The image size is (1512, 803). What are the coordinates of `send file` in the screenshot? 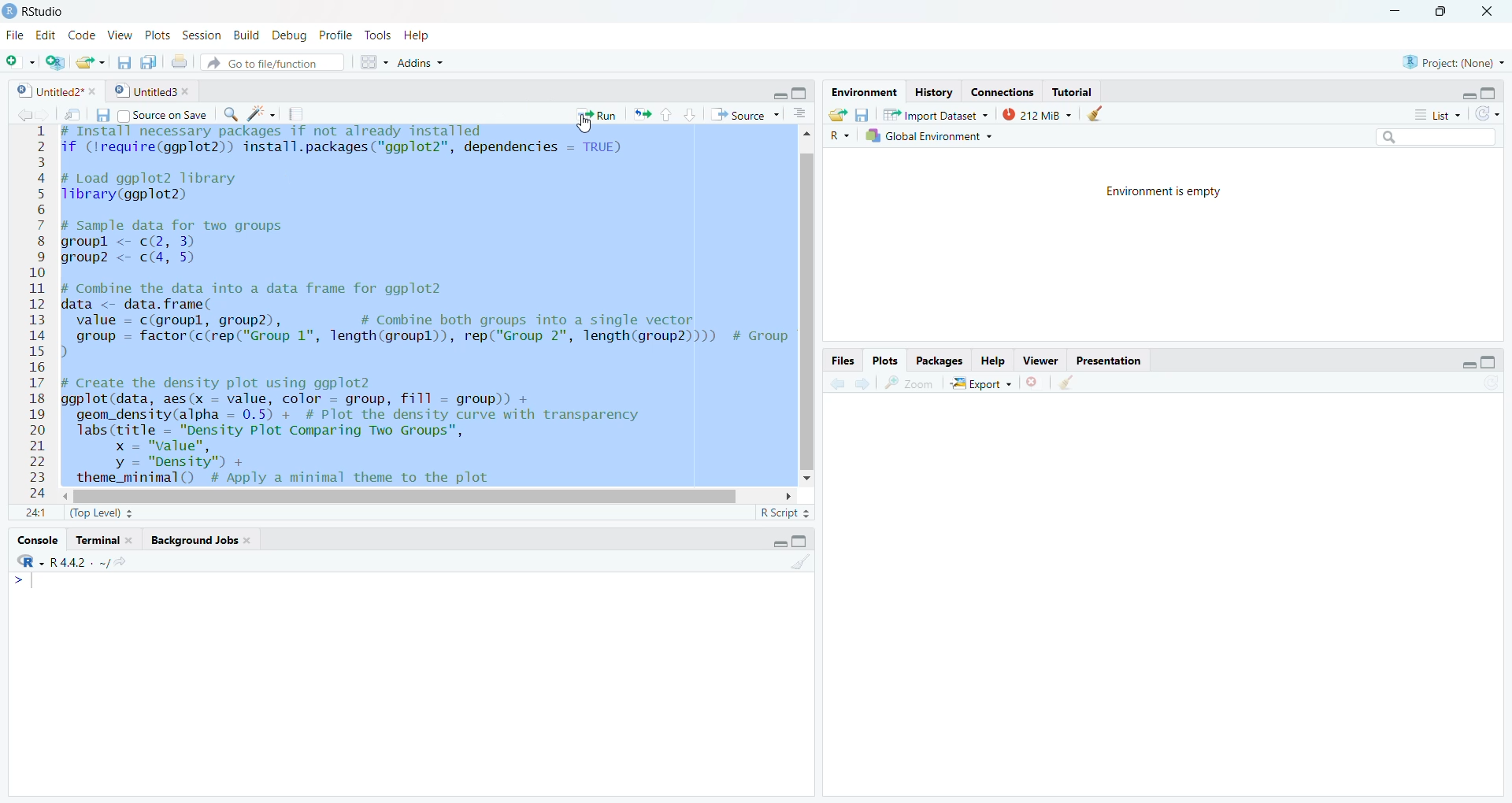 It's located at (72, 114).